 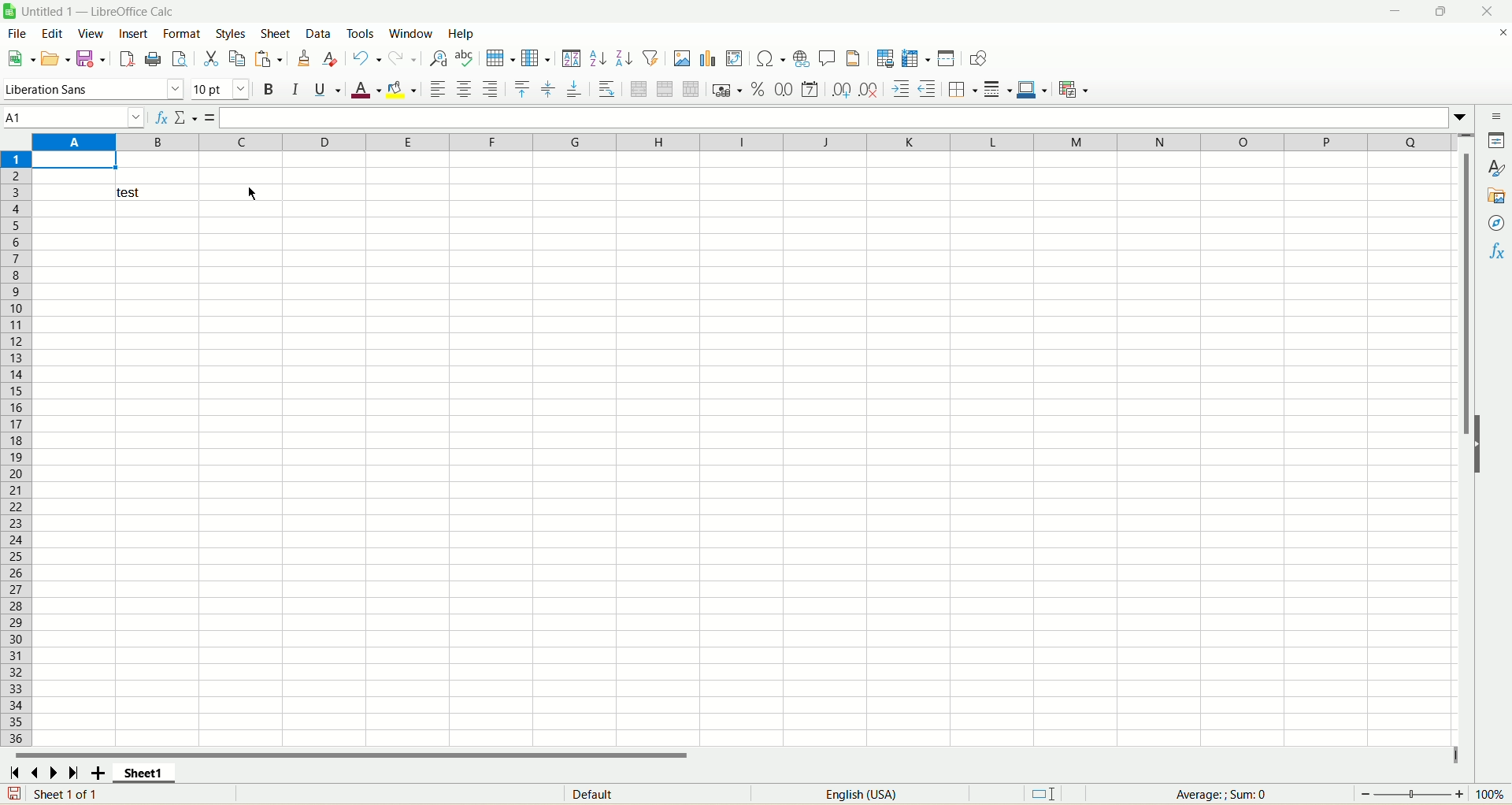 I want to click on edit, so click(x=53, y=33).